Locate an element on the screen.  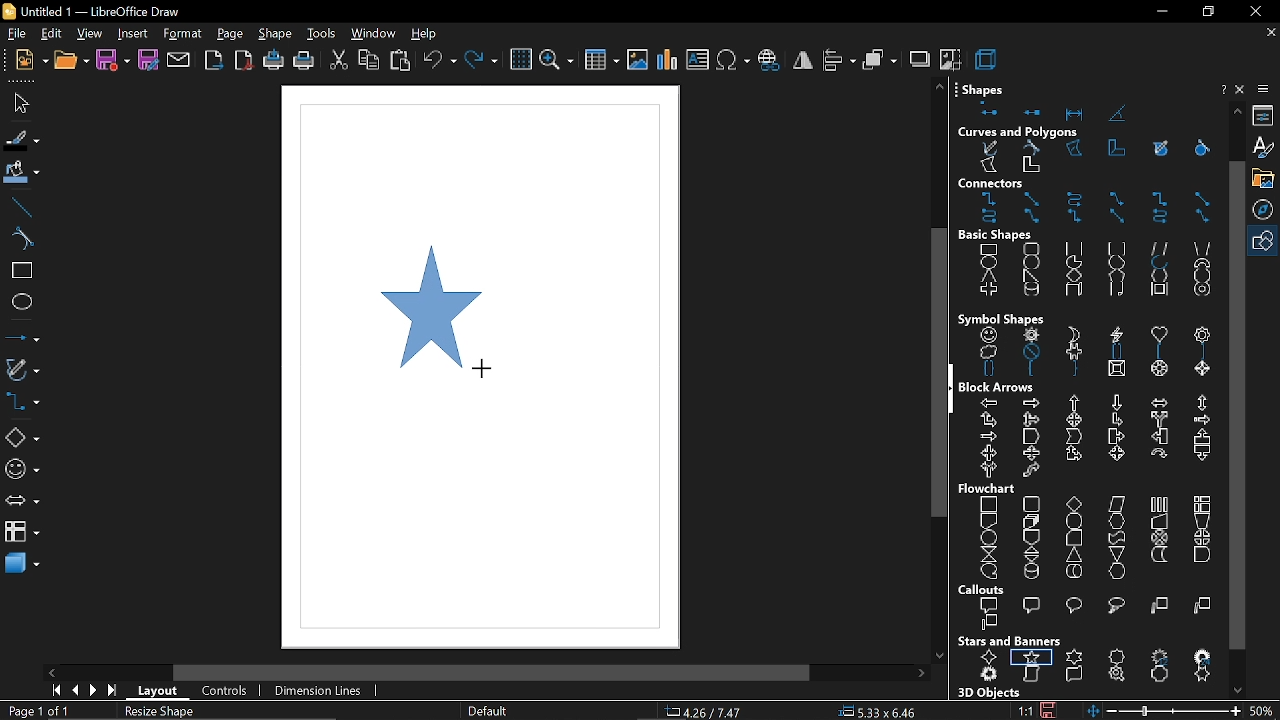
move down  is located at coordinates (940, 655).